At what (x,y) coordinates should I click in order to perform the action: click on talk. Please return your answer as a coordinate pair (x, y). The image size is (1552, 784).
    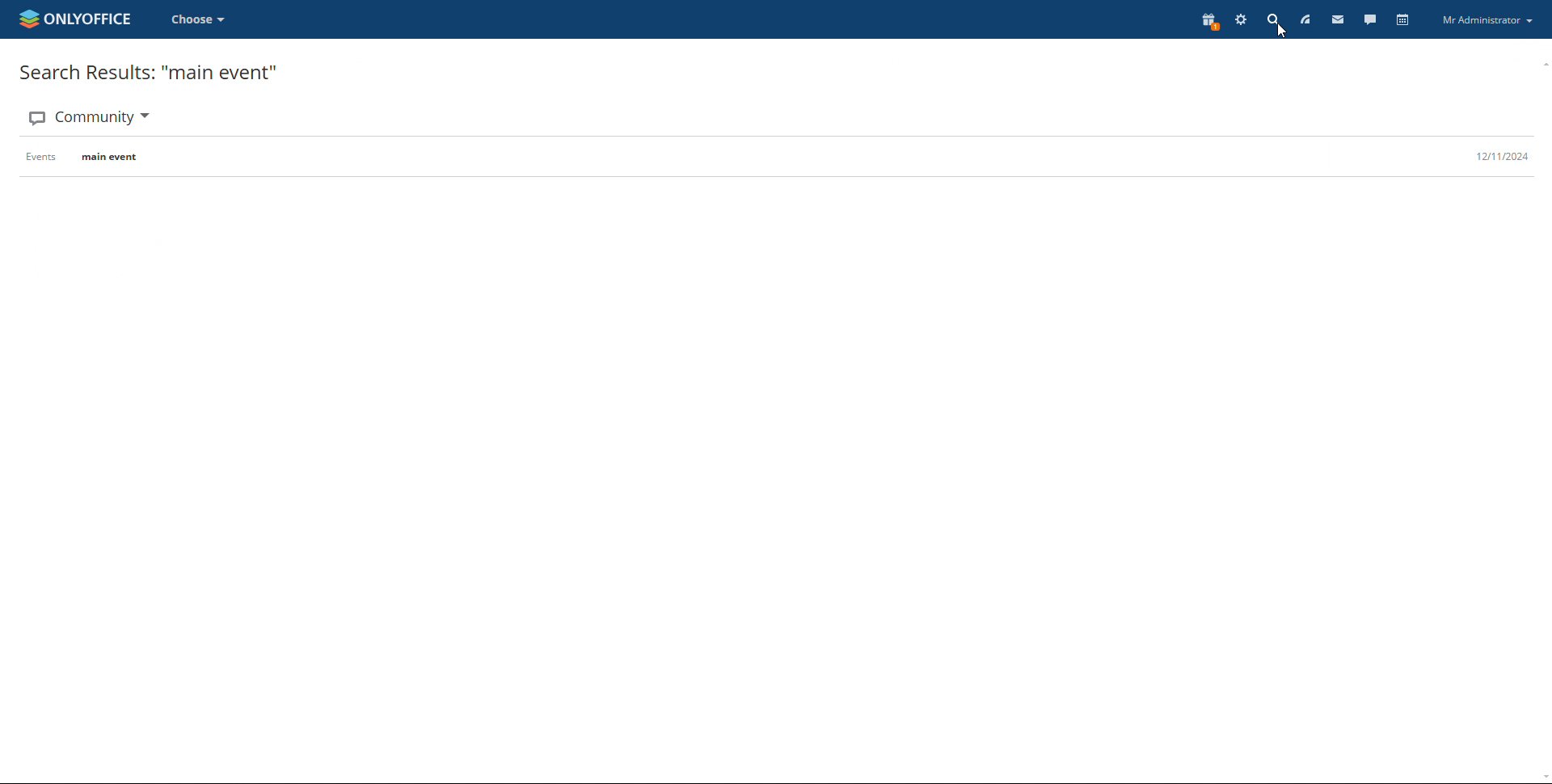
    Looking at the image, I should click on (1369, 19).